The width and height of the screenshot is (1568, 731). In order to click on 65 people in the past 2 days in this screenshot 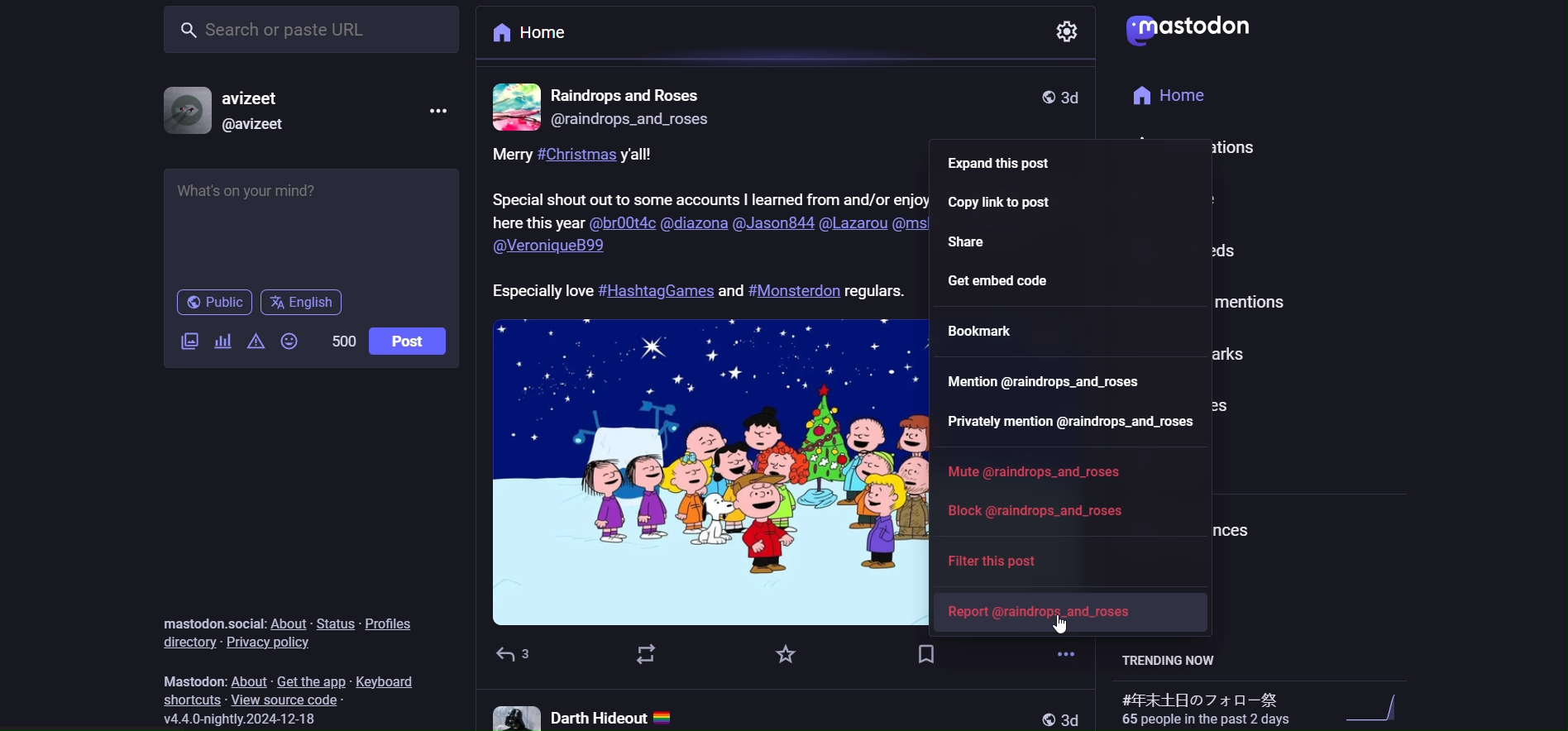, I will do `click(1203, 707)`.